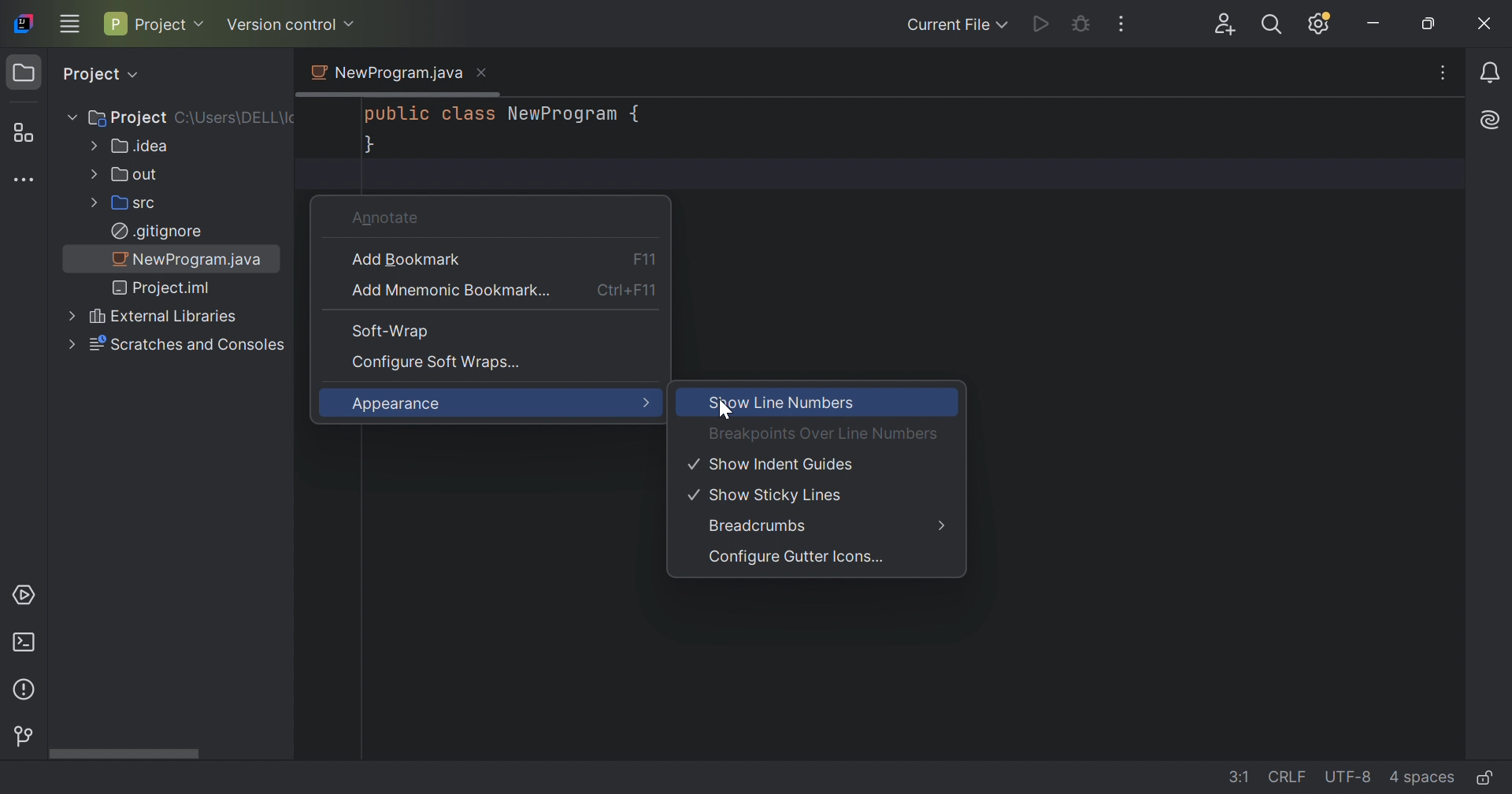 This screenshot has width=1512, height=794. What do you see at coordinates (629, 293) in the screenshot?
I see `Ctrl+F11` at bounding box center [629, 293].